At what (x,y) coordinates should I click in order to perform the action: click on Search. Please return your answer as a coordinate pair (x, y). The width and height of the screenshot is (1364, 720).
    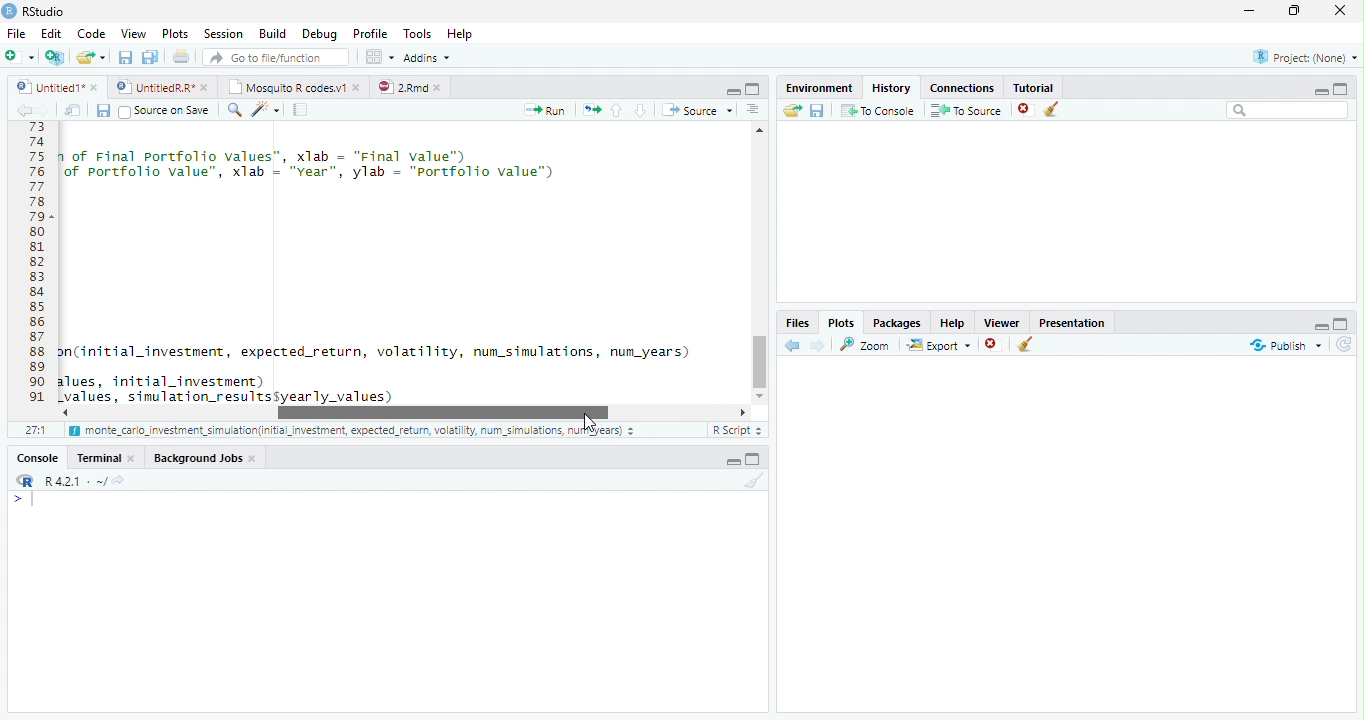
    Looking at the image, I should click on (1288, 110).